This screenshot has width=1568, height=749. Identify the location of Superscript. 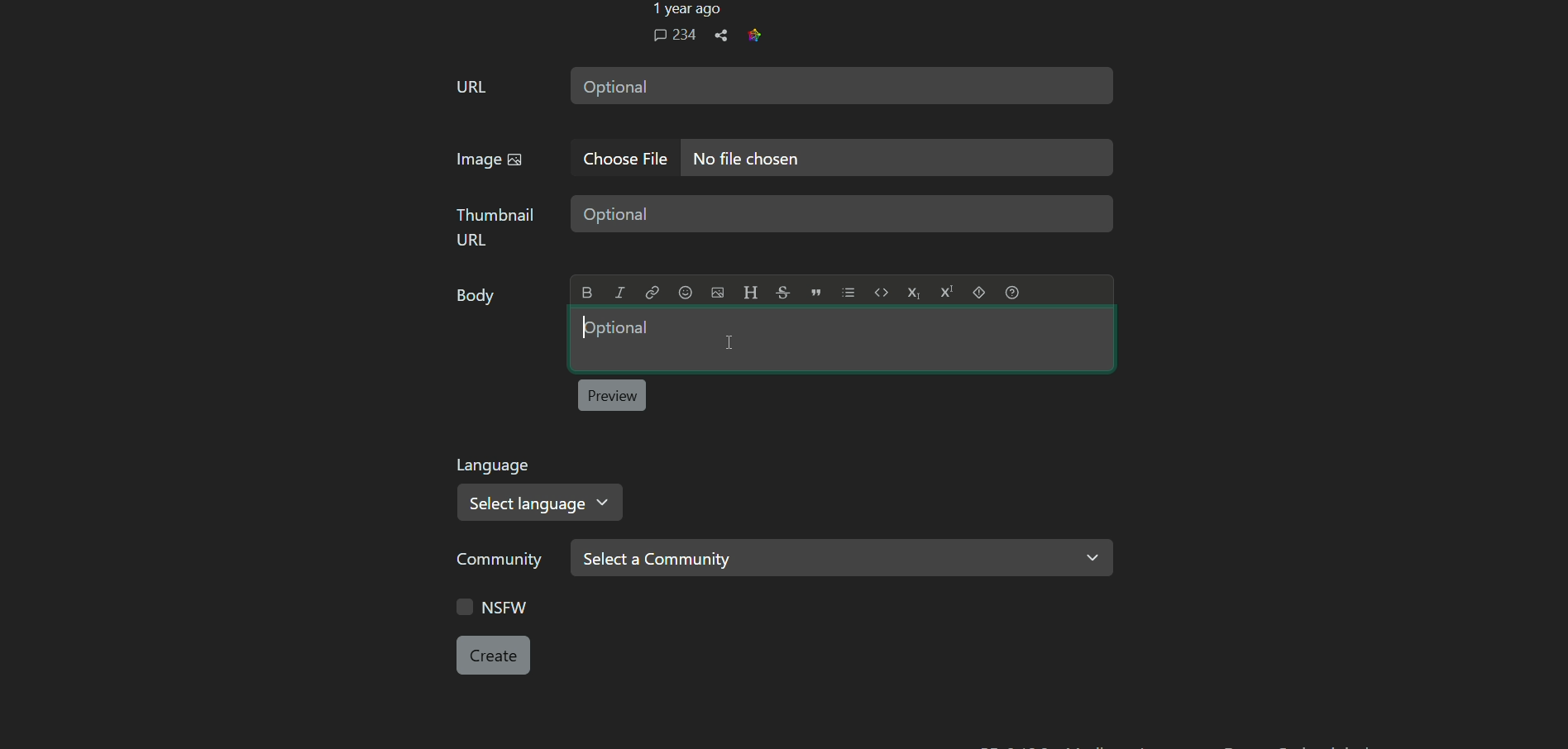
(946, 291).